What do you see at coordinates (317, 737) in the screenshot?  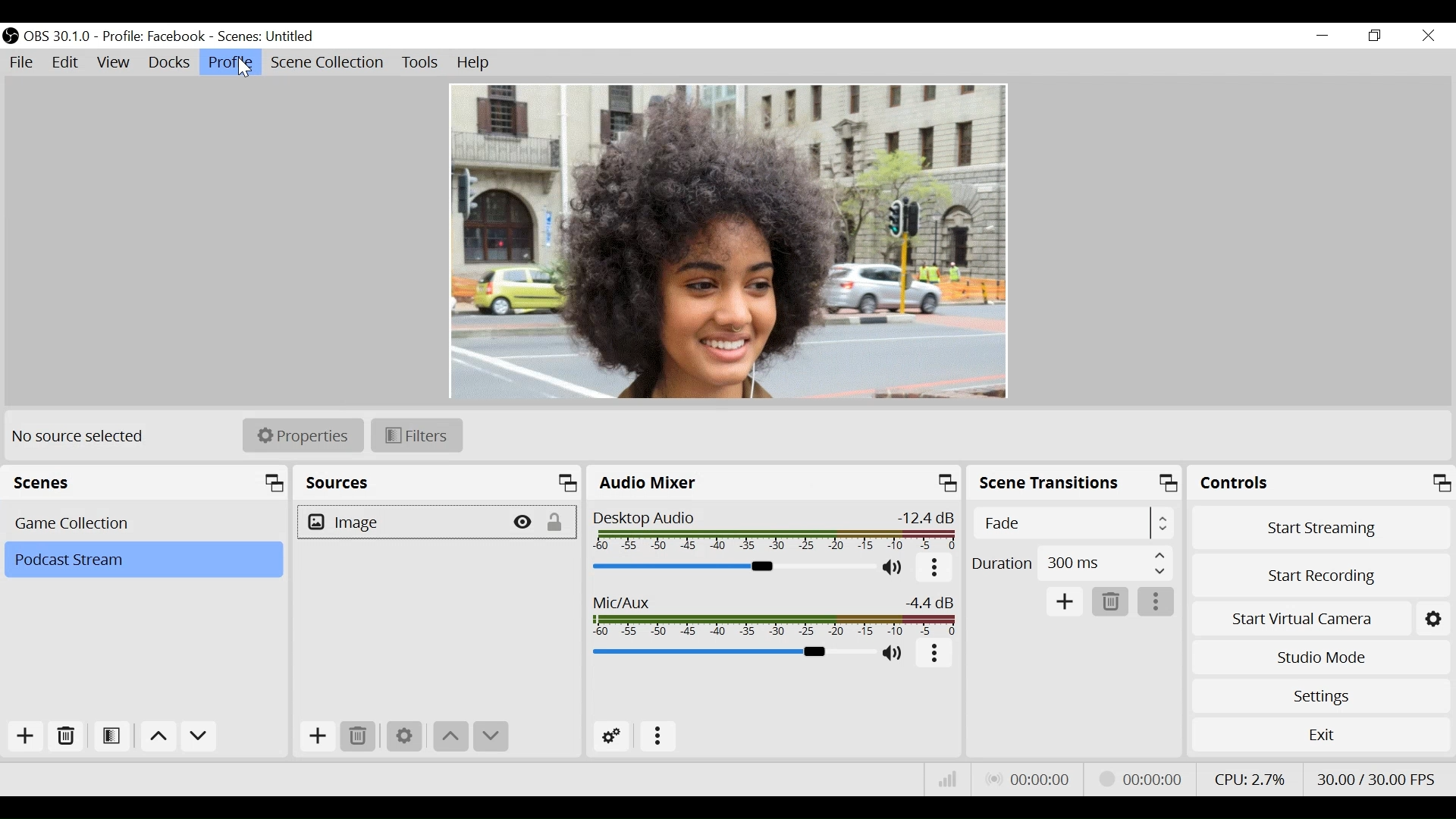 I see `Add` at bounding box center [317, 737].